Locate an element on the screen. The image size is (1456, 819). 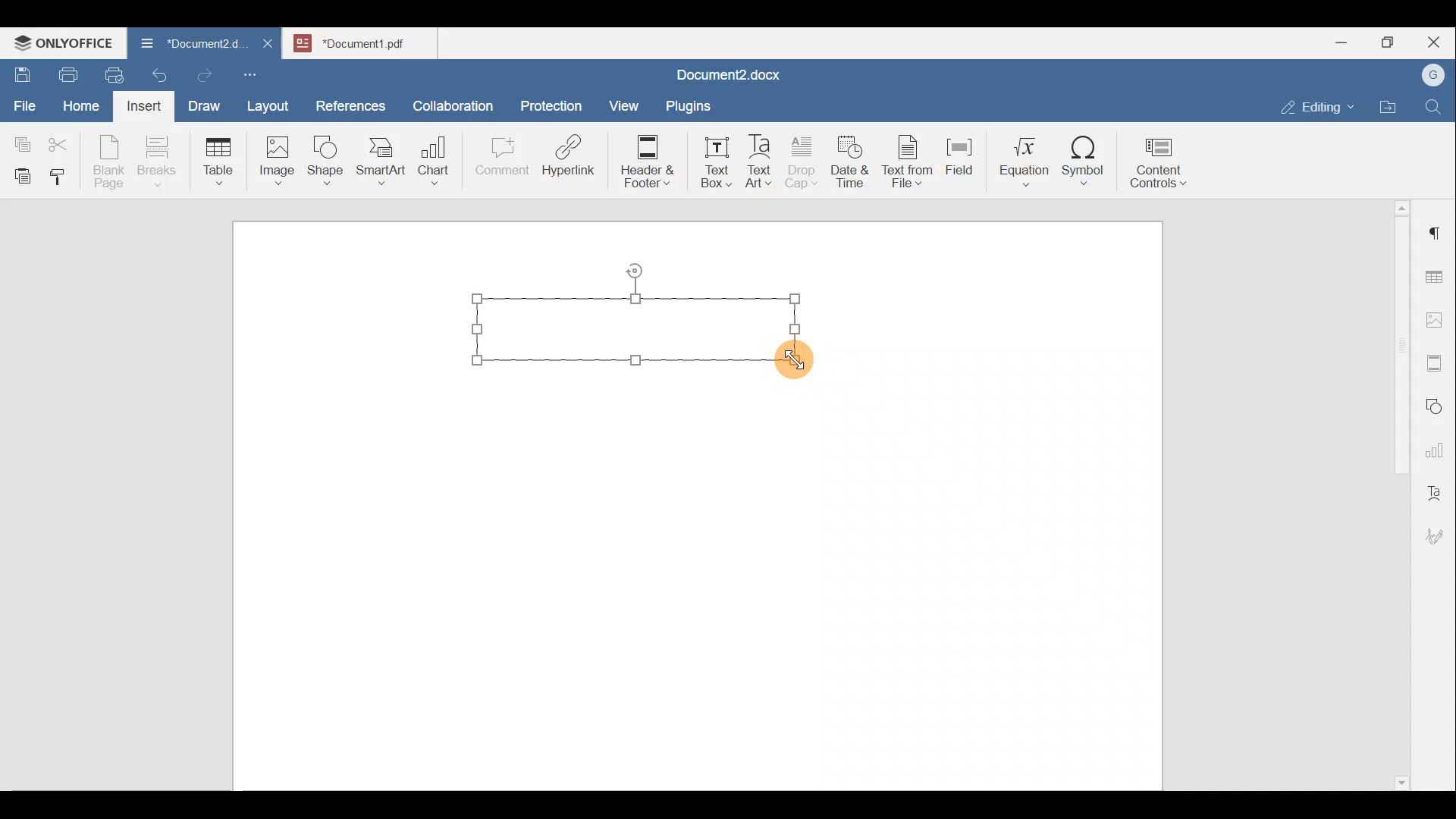
Home is located at coordinates (82, 105).